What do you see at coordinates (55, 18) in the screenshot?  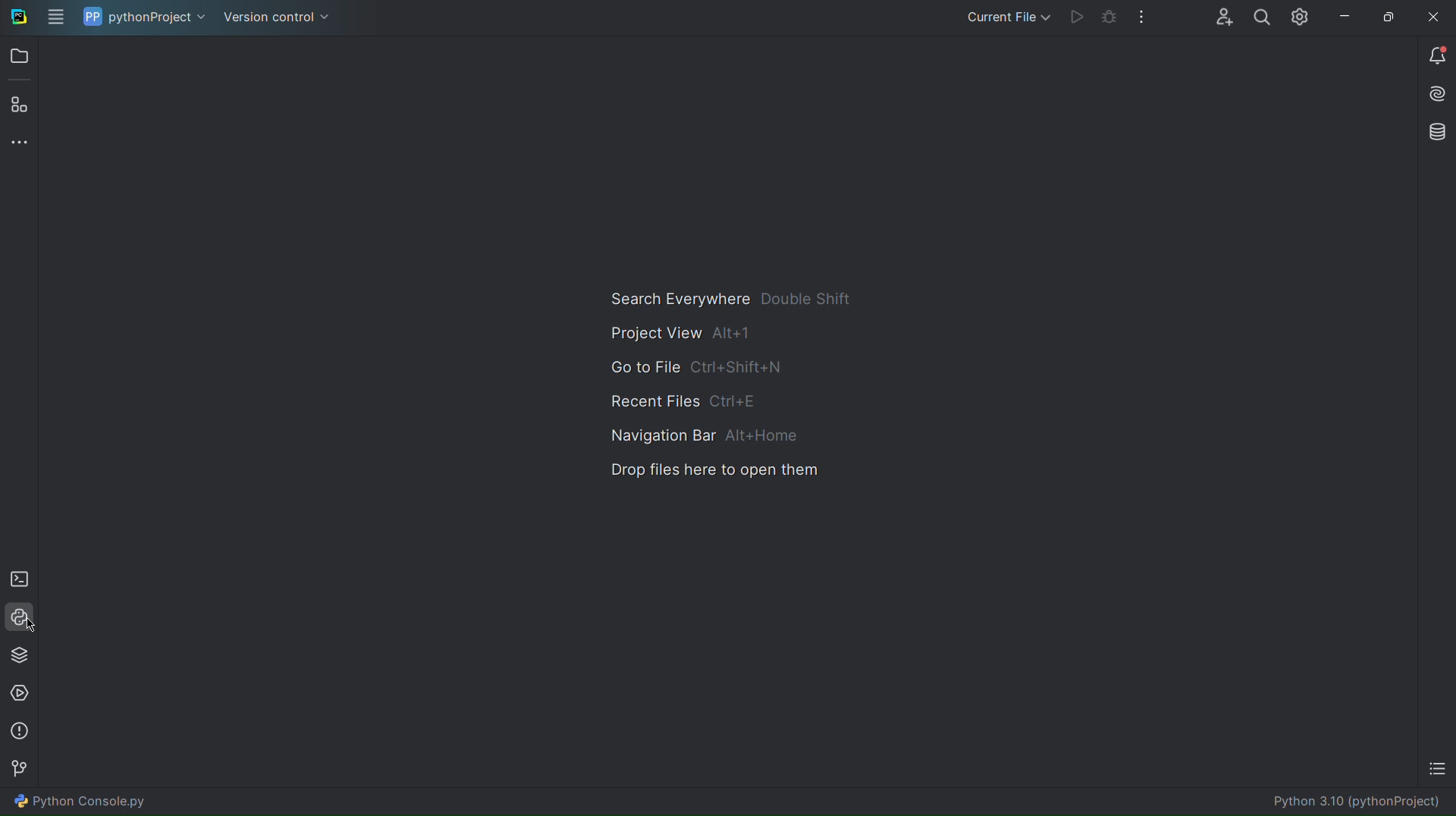 I see `Application Menu` at bounding box center [55, 18].